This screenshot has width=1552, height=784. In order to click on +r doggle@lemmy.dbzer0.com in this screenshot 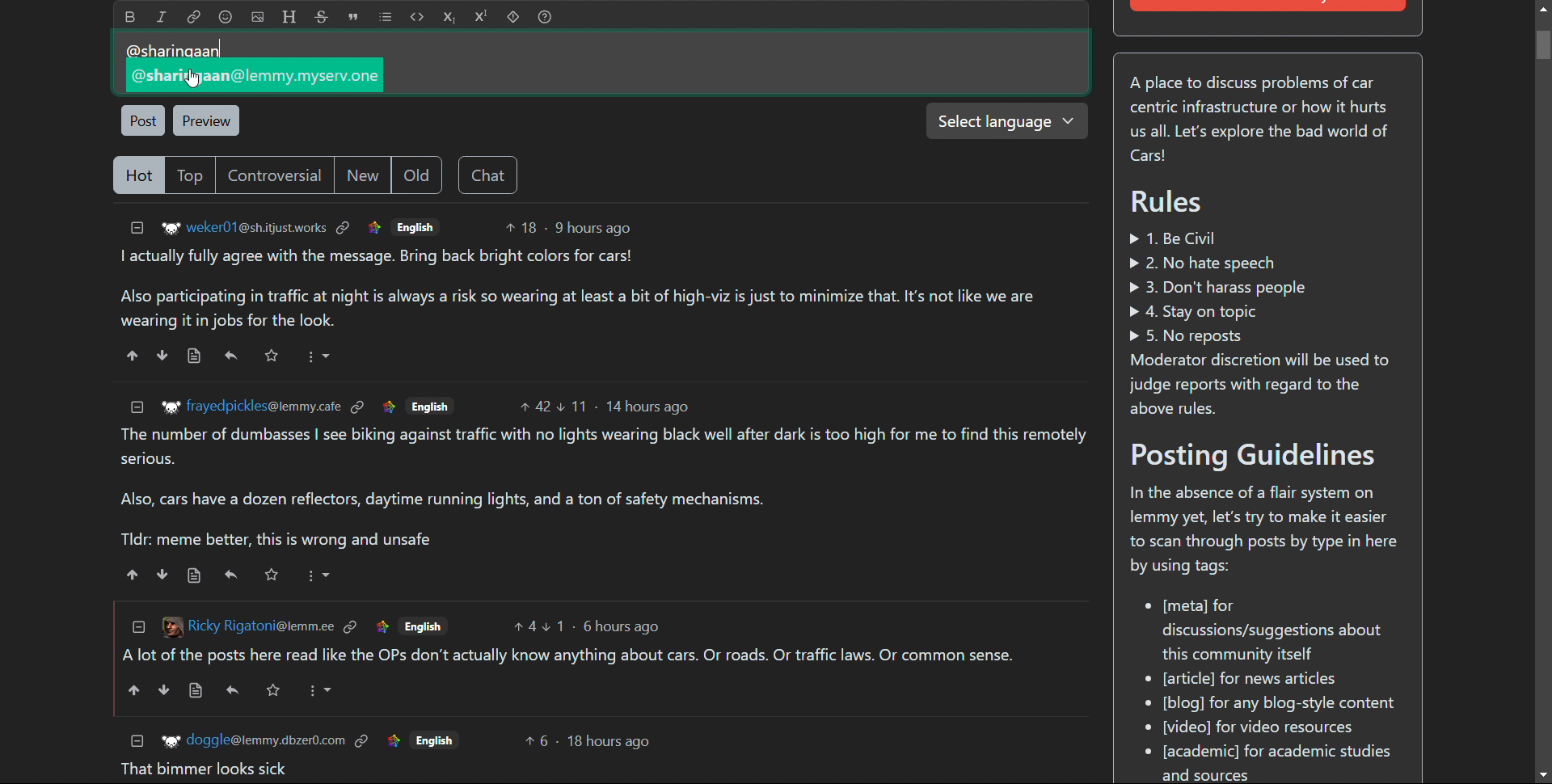, I will do `click(252, 739)`.